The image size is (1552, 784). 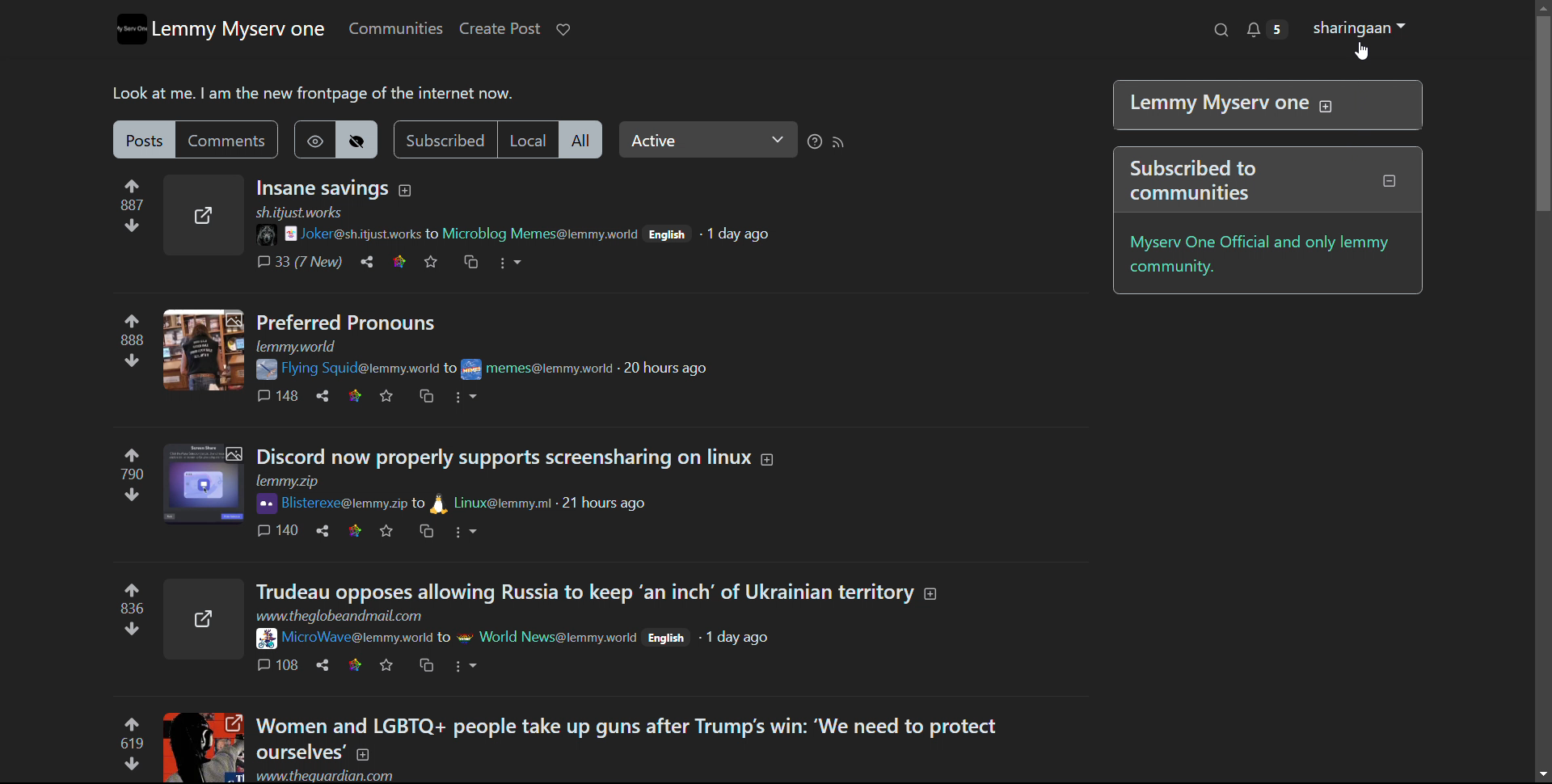 What do you see at coordinates (740, 234) in the screenshot?
I see `1 day ago` at bounding box center [740, 234].